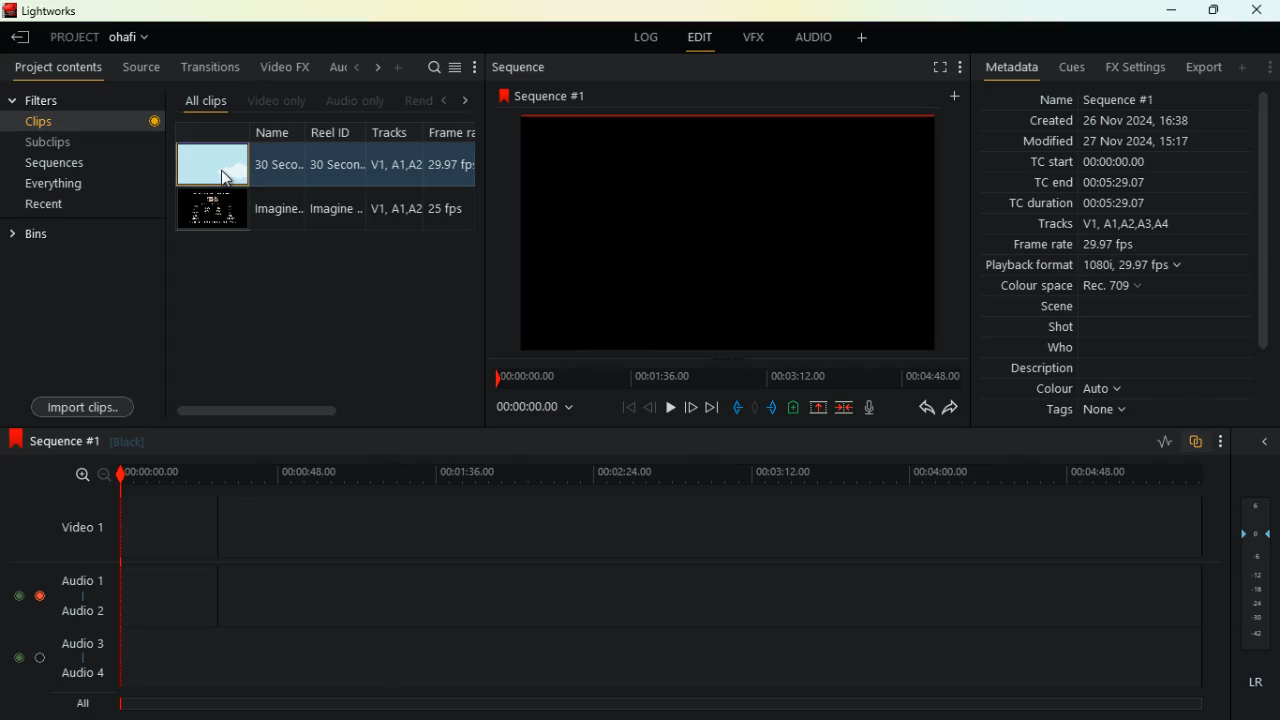  Describe the element at coordinates (57, 99) in the screenshot. I see `filters` at that location.